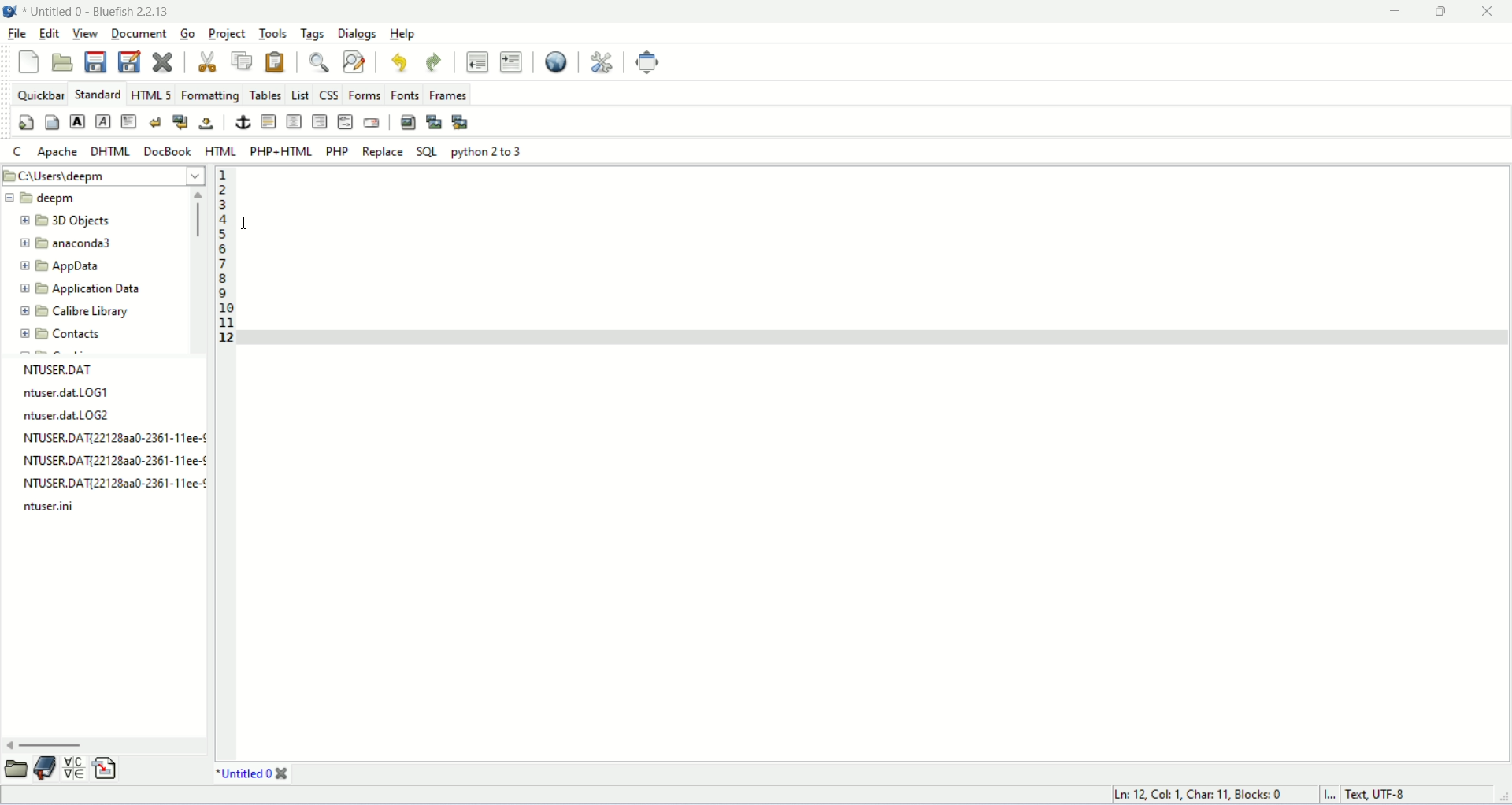 The height and width of the screenshot is (805, 1512). Describe the element at coordinates (108, 745) in the screenshot. I see `scroll bar` at that location.